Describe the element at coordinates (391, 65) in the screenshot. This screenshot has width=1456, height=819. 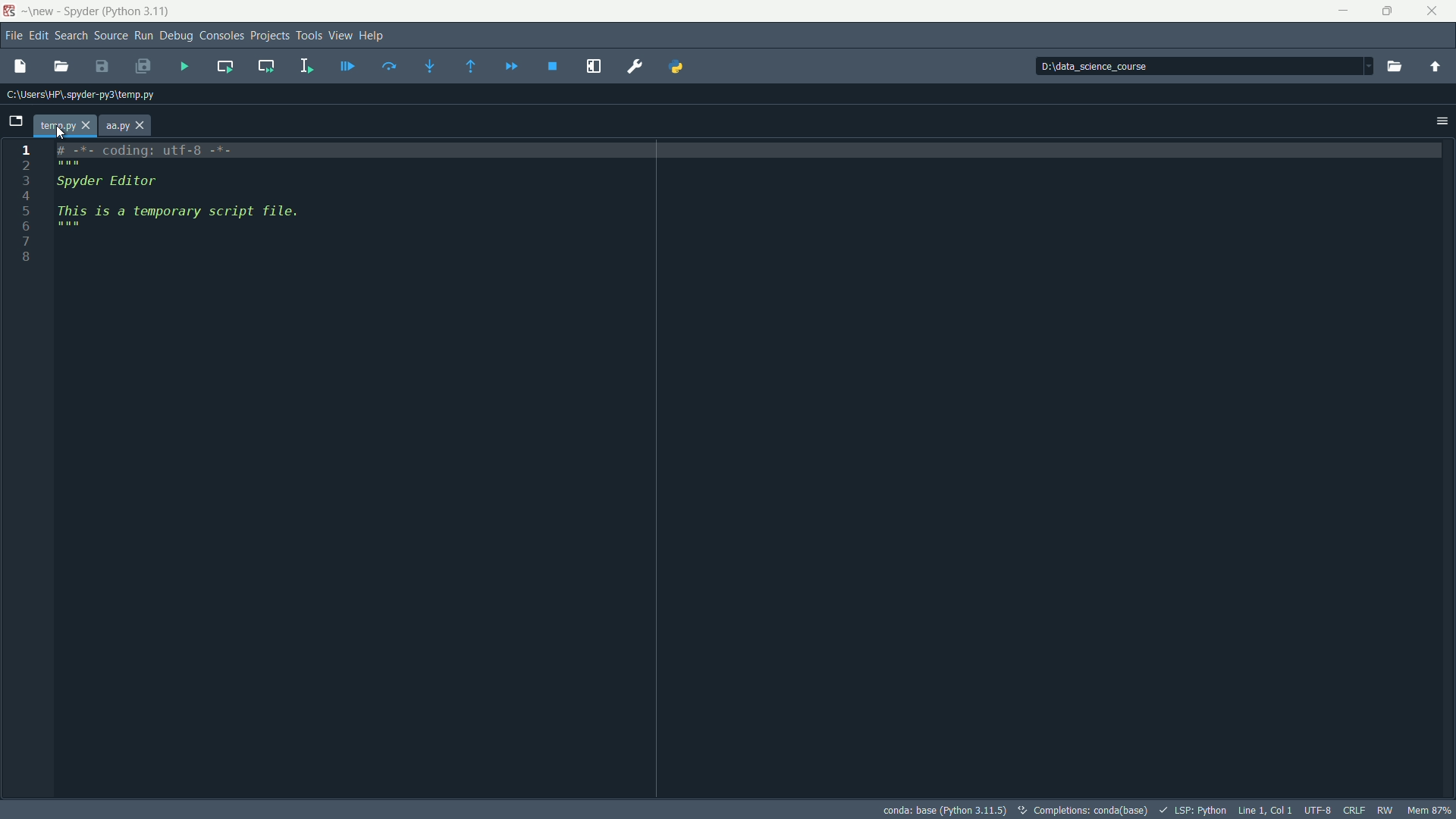
I see `execute current line` at that location.